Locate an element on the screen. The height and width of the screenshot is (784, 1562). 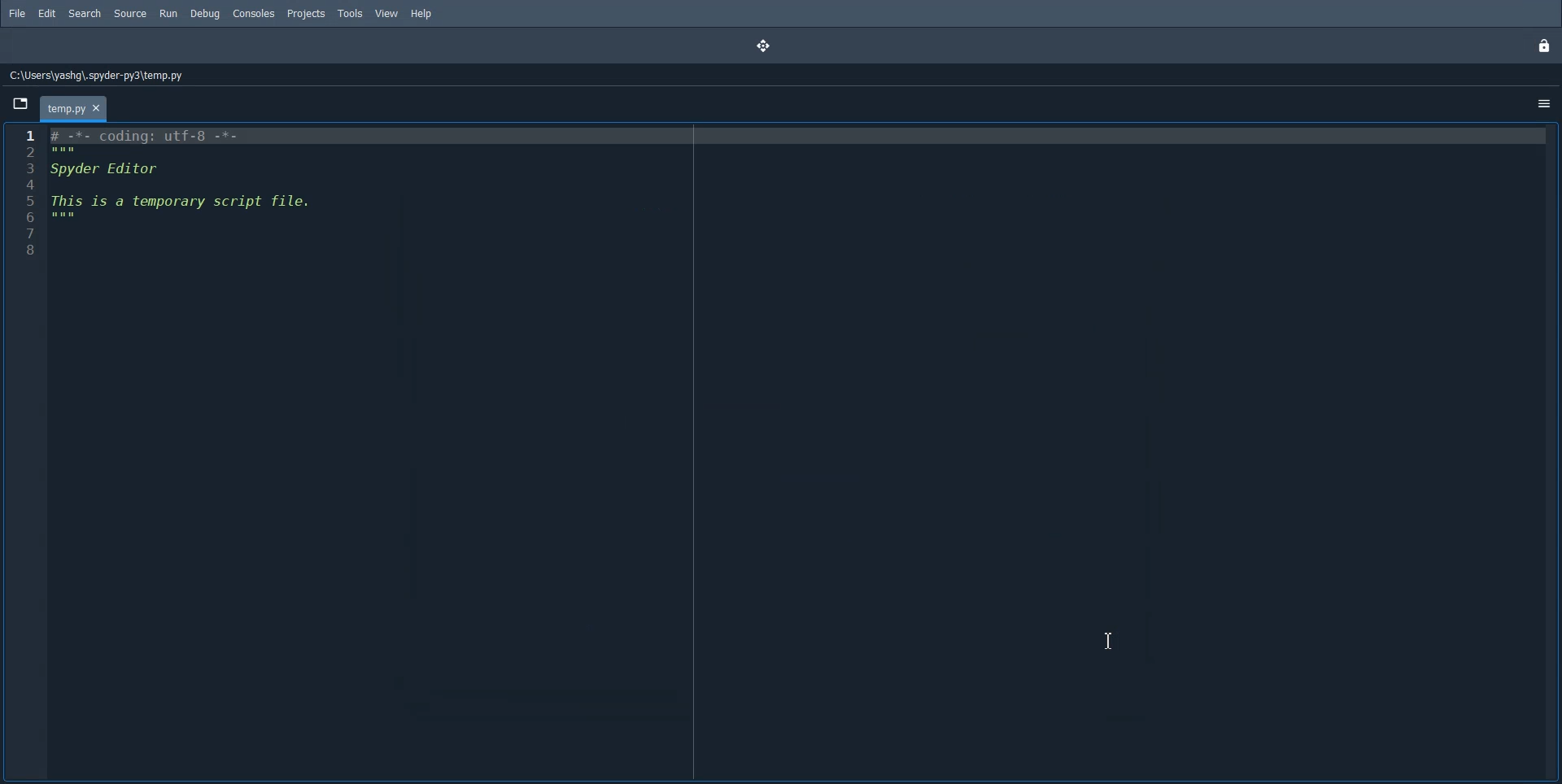
Consoles is located at coordinates (253, 14).